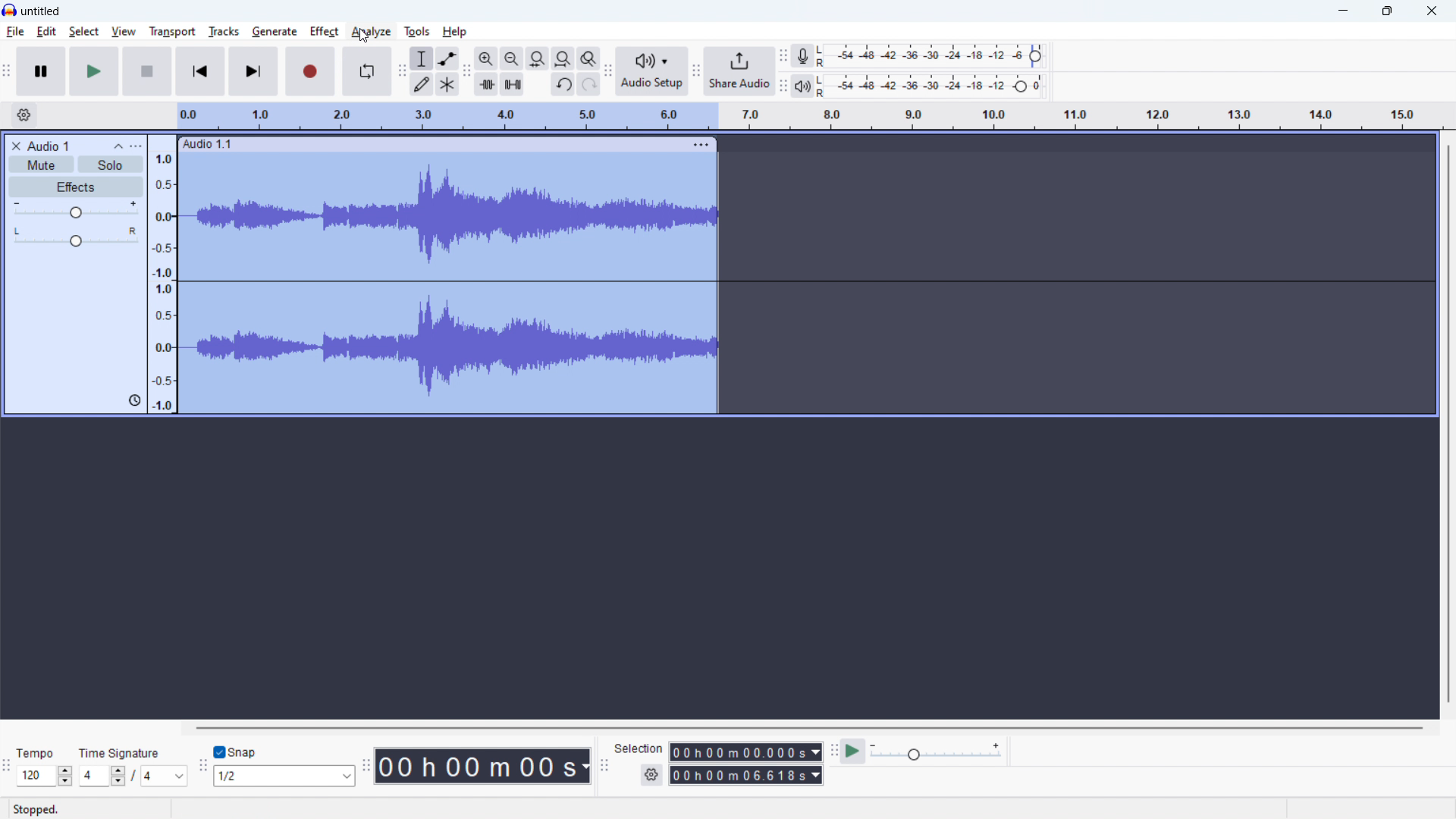 This screenshot has height=819, width=1456. Describe the element at coordinates (589, 84) in the screenshot. I see `redo` at that location.